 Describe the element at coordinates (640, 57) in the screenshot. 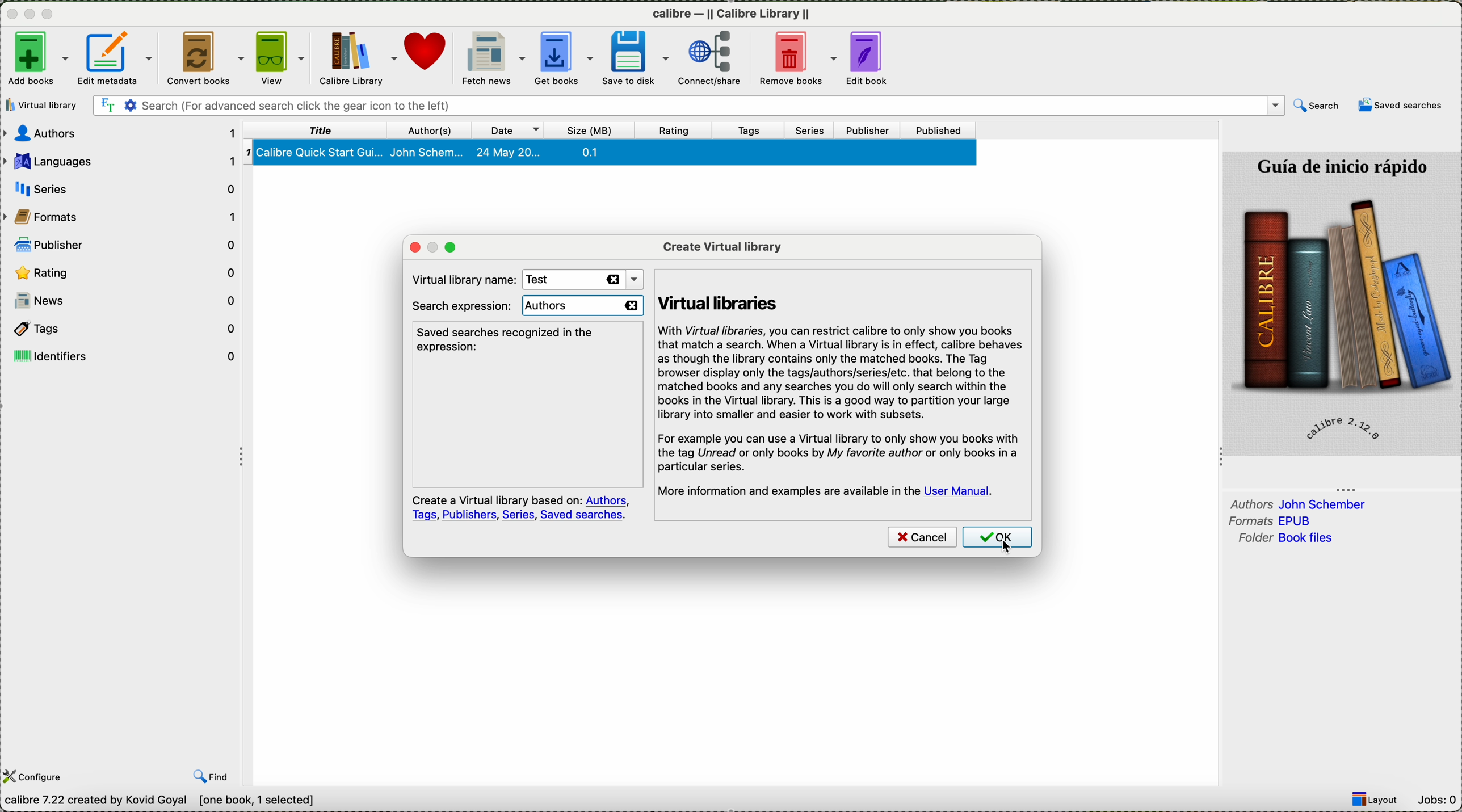

I see `save to disk` at that location.